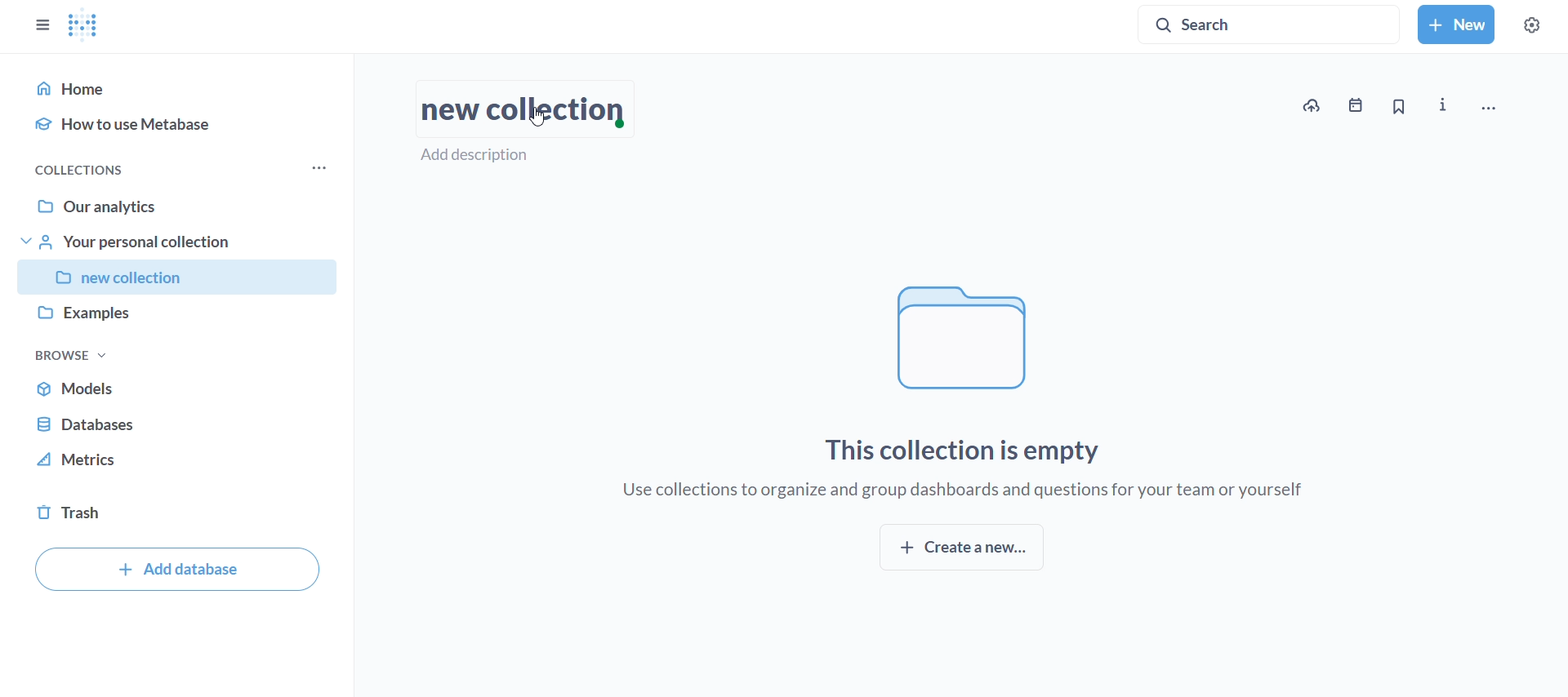  Describe the element at coordinates (967, 450) in the screenshot. I see `this collection is empty` at that location.